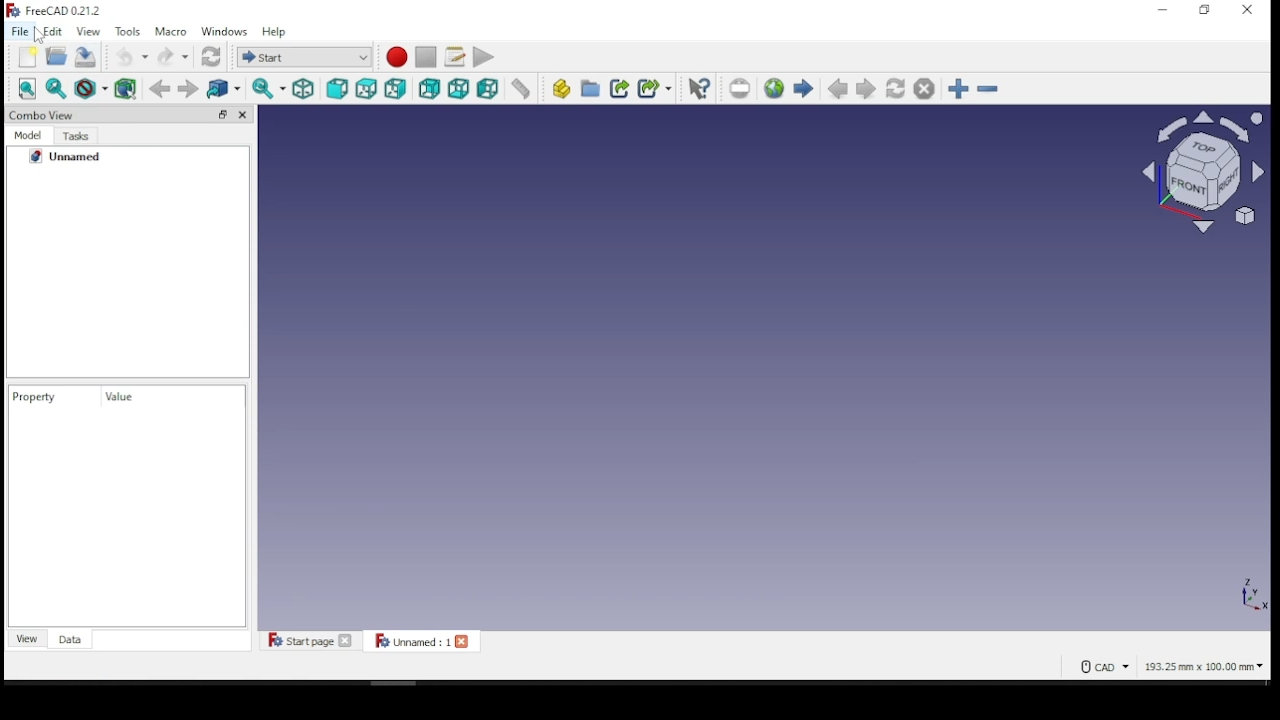 This screenshot has height=720, width=1280. Describe the element at coordinates (803, 88) in the screenshot. I see `start page` at that location.